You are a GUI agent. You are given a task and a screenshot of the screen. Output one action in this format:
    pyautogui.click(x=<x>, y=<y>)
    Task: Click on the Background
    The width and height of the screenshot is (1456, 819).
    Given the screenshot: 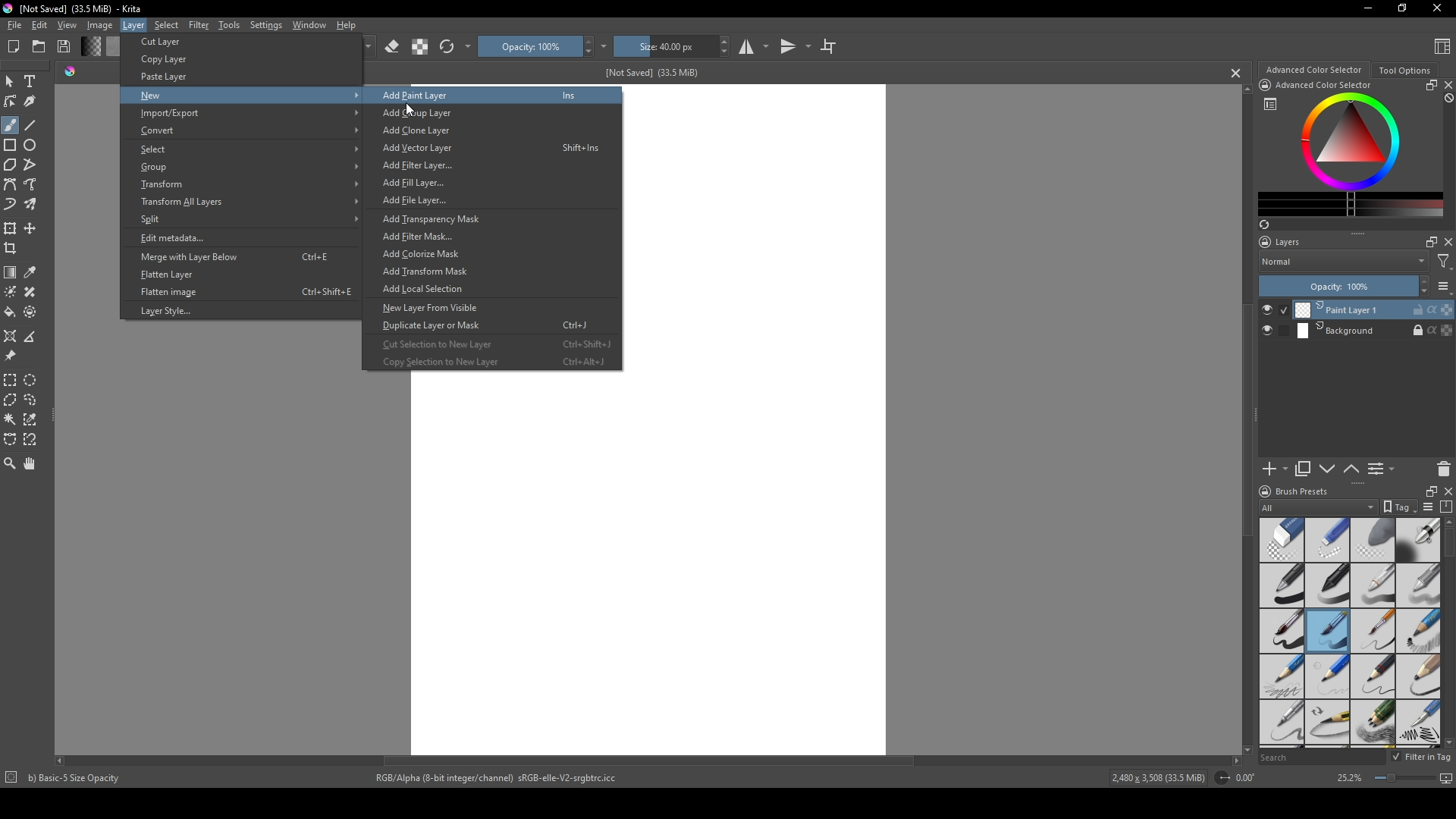 What is the action you would take?
    pyautogui.click(x=1374, y=331)
    